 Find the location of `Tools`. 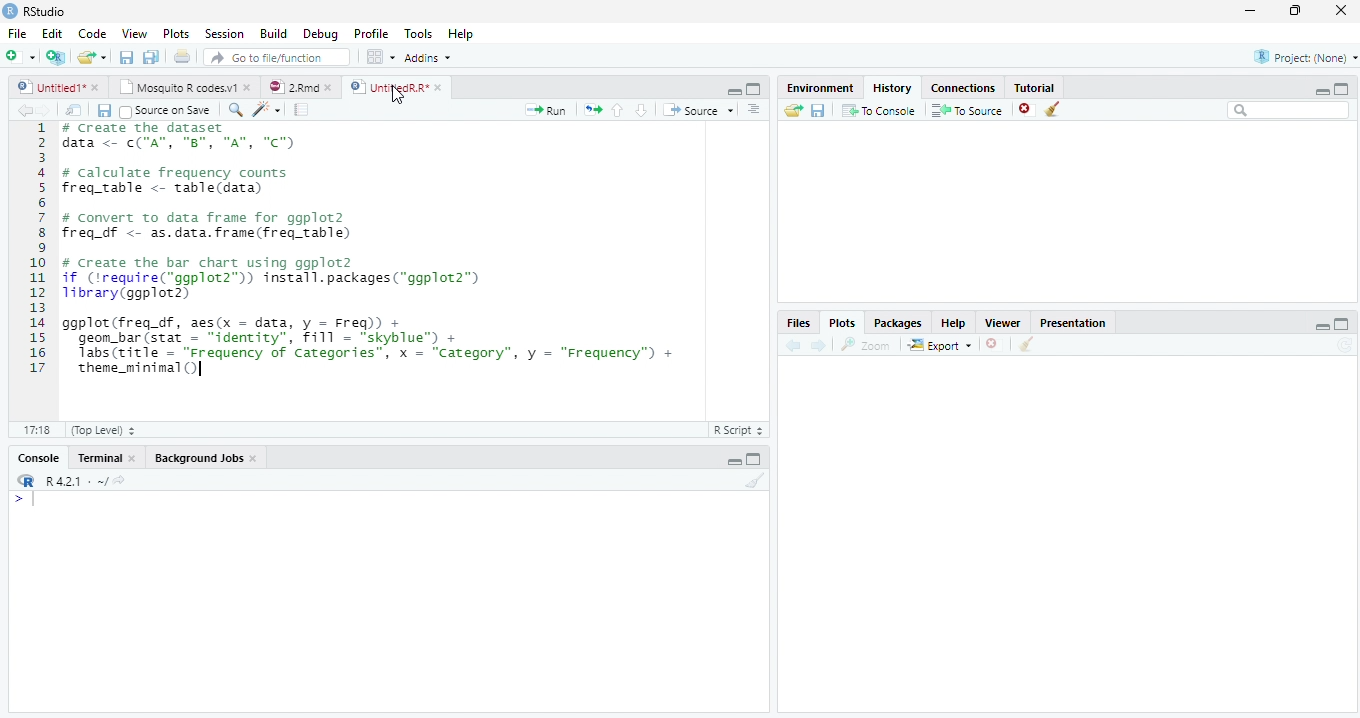

Tools is located at coordinates (421, 34).